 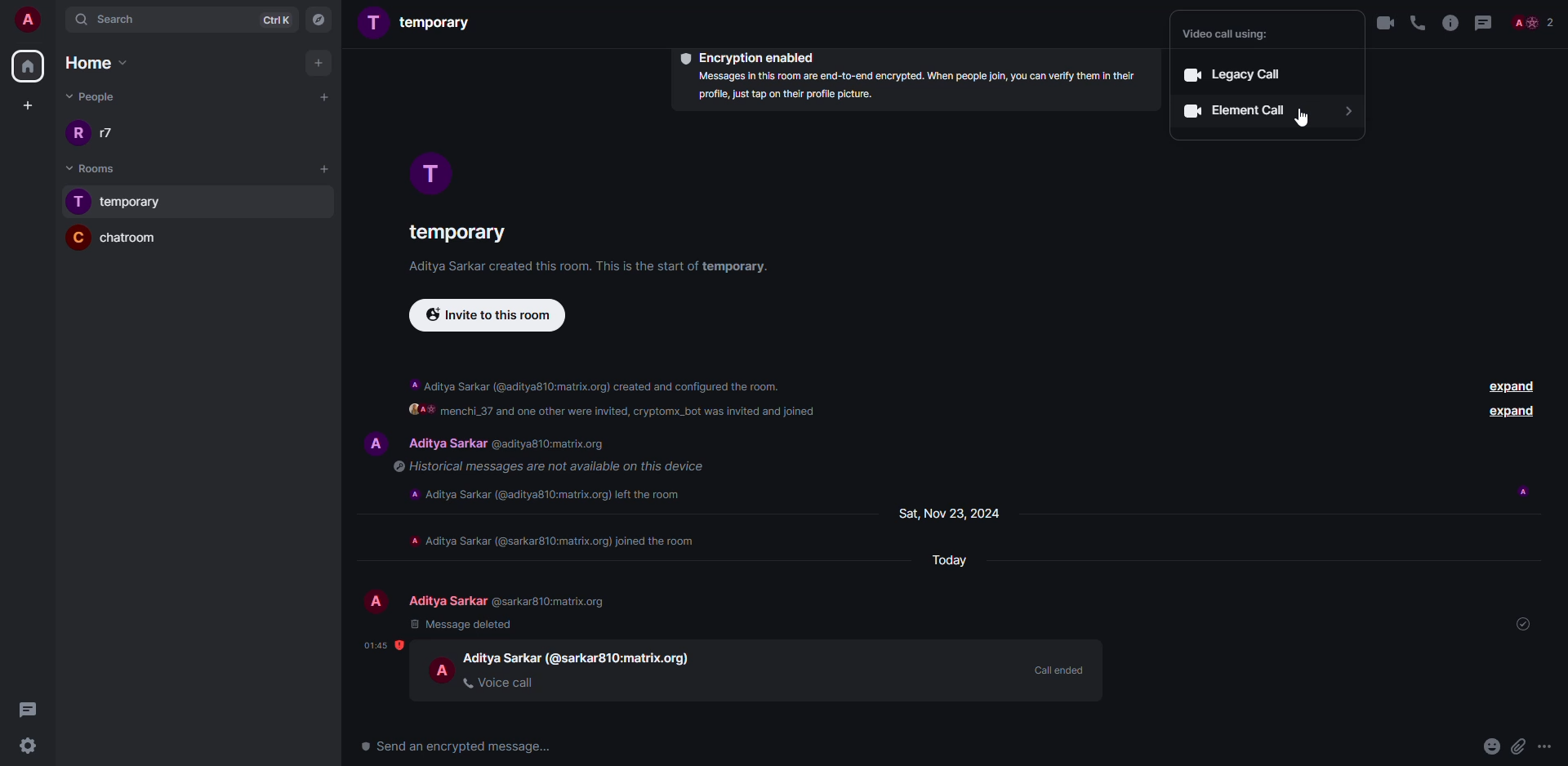 What do you see at coordinates (136, 203) in the screenshot?
I see `room` at bounding box center [136, 203].